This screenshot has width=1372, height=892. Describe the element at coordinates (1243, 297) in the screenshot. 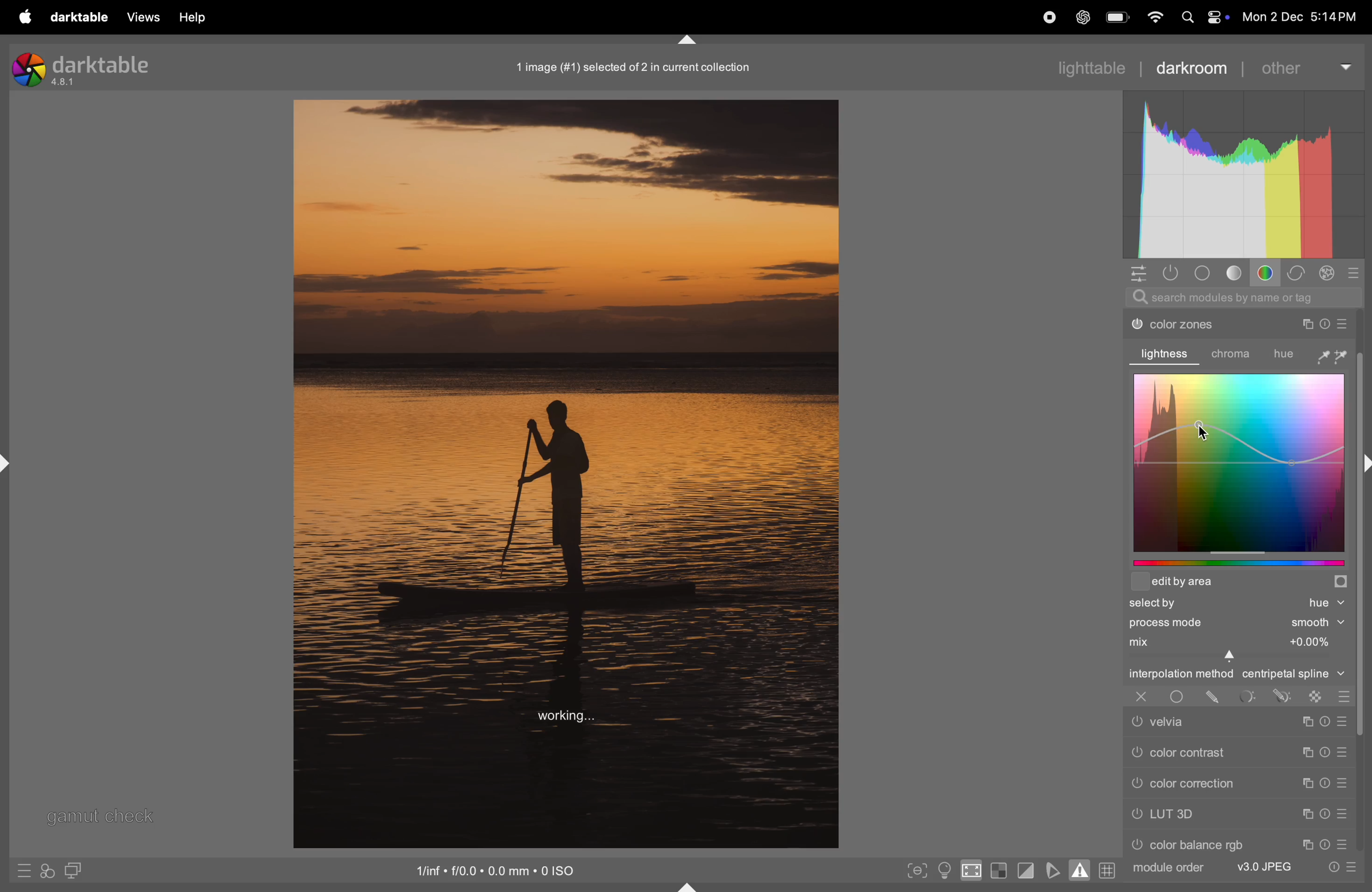

I see `search modules by name or tag` at that location.